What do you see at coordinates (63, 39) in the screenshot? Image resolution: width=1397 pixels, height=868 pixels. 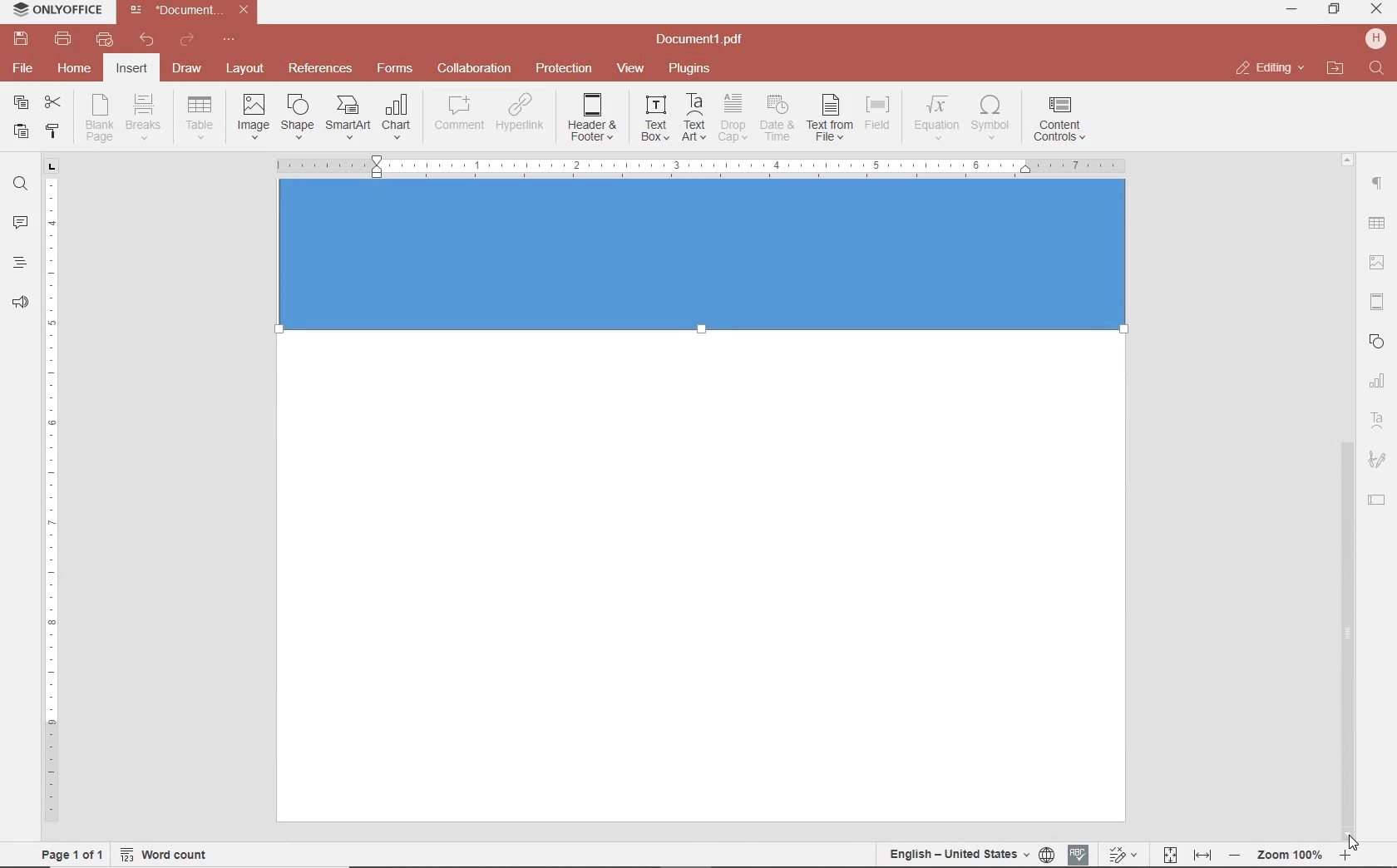 I see `print file` at bounding box center [63, 39].